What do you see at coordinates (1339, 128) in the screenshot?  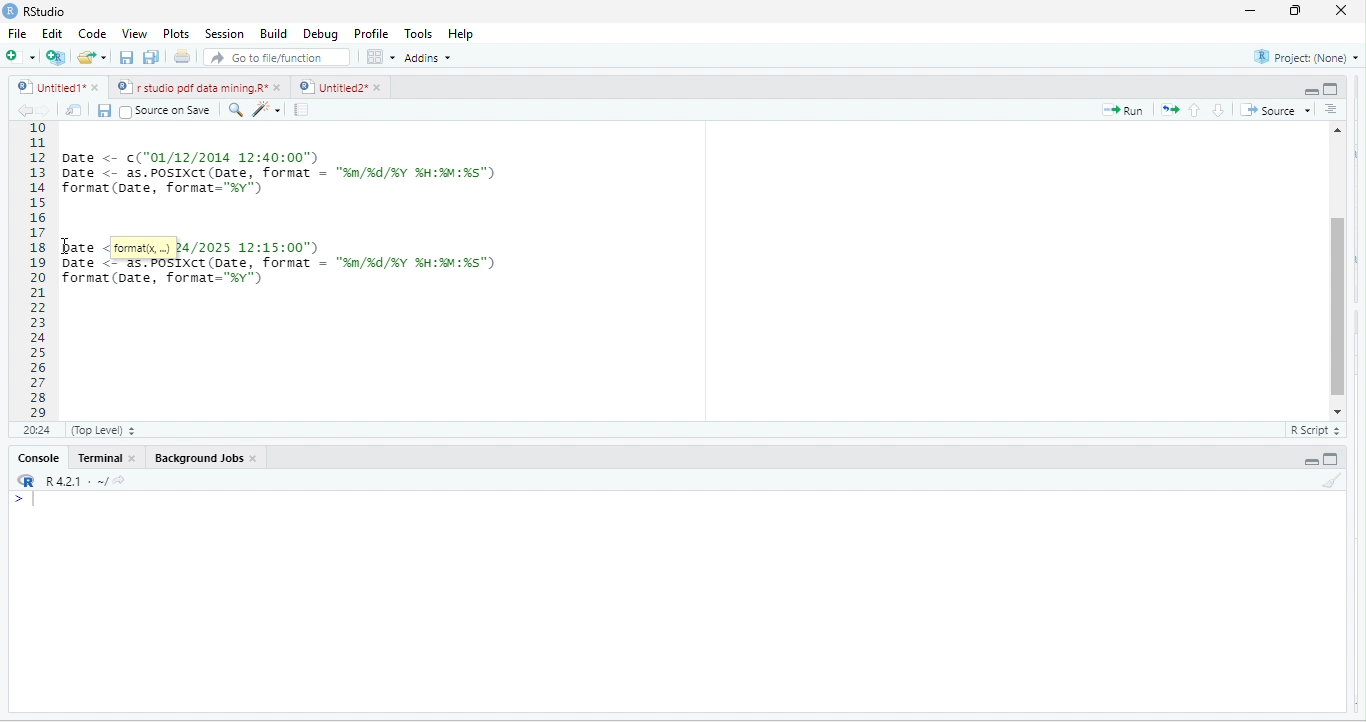 I see `scroll up` at bounding box center [1339, 128].